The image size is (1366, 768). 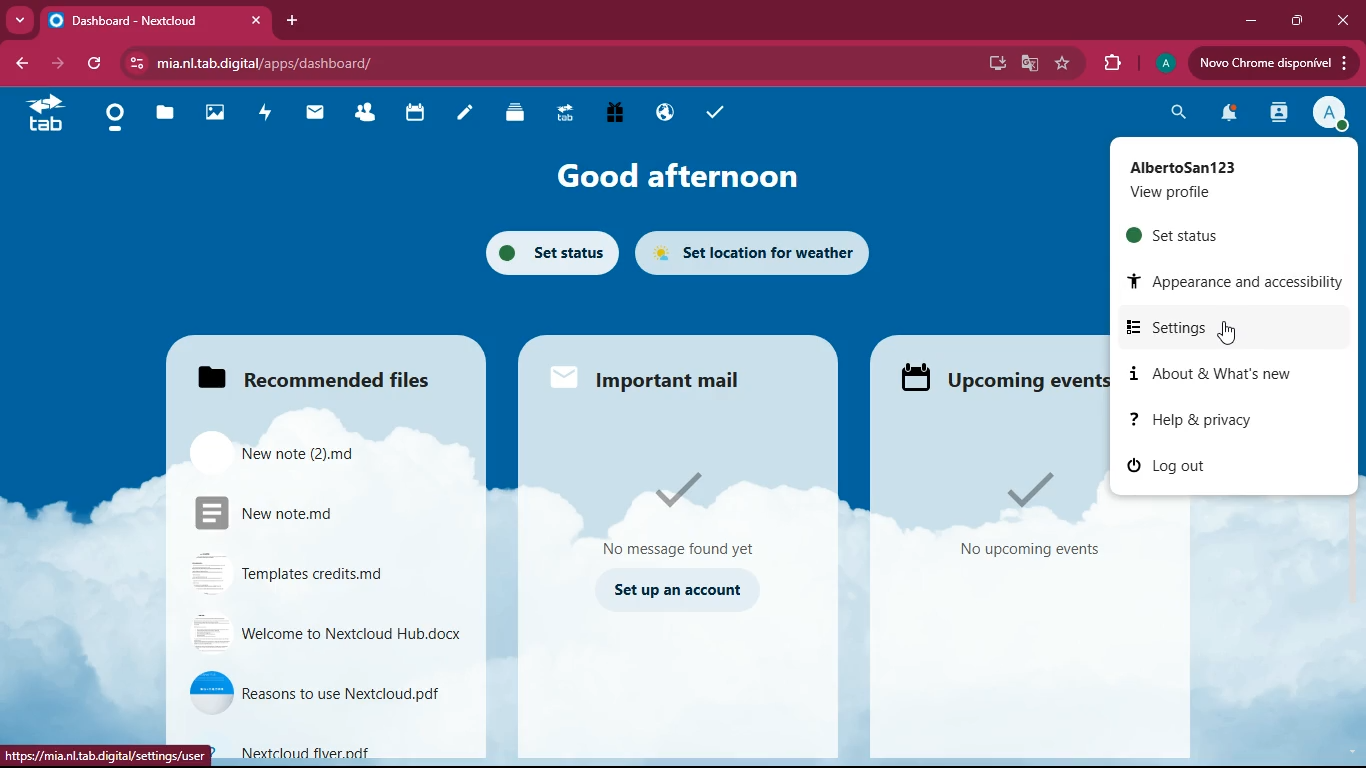 What do you see at coordinates (320, 513) in the screenshot?
I see `files` at bounding box center [320, 513].